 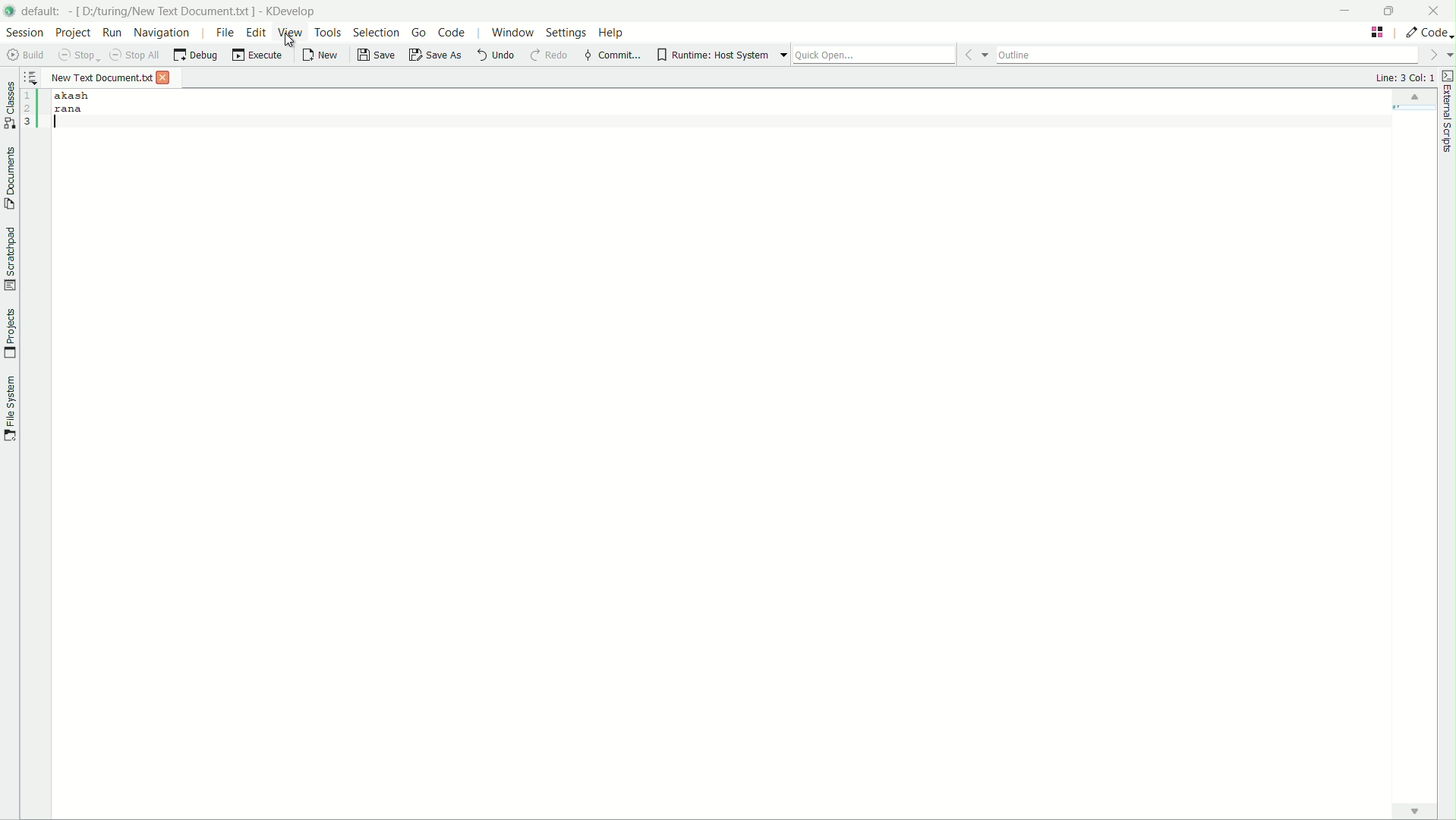 What do you see at coordinates (1379, 31) in the screenshot?
I see `tab layout` at bounding box center [1379, 31].